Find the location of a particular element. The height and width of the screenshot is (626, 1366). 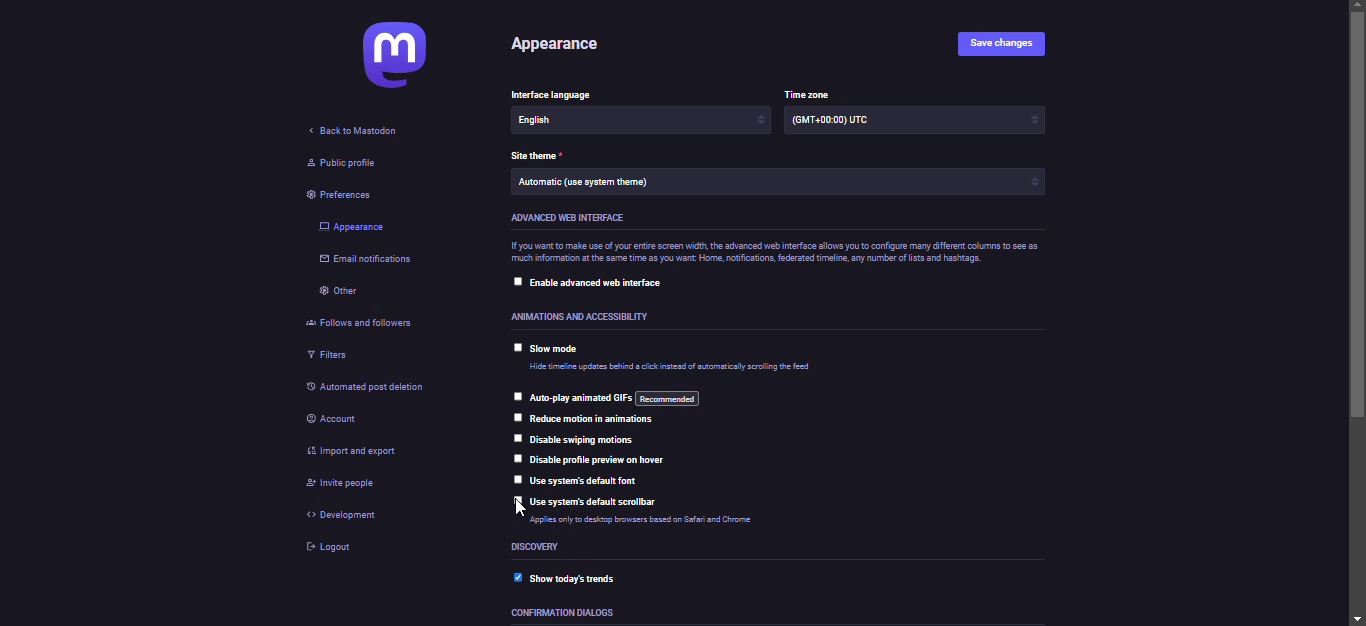

language is located at coordinates (586, 123).